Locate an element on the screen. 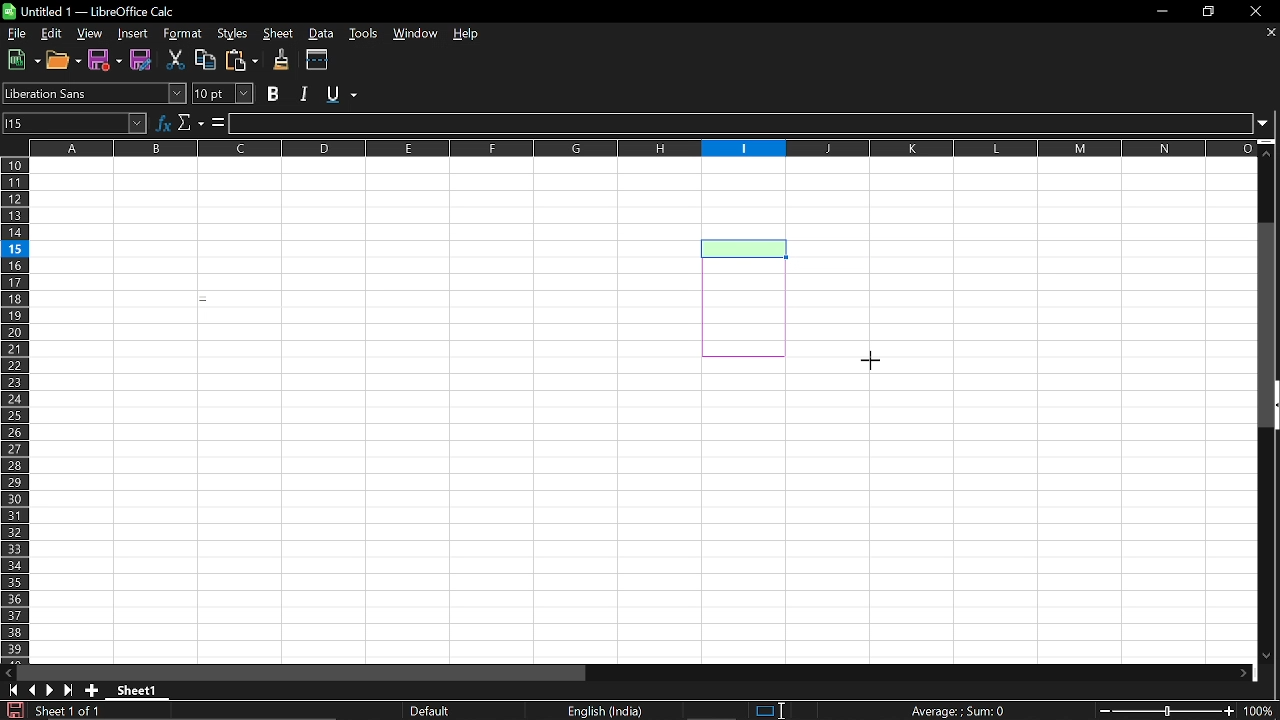  Current window is located at coordinates (99, 11).